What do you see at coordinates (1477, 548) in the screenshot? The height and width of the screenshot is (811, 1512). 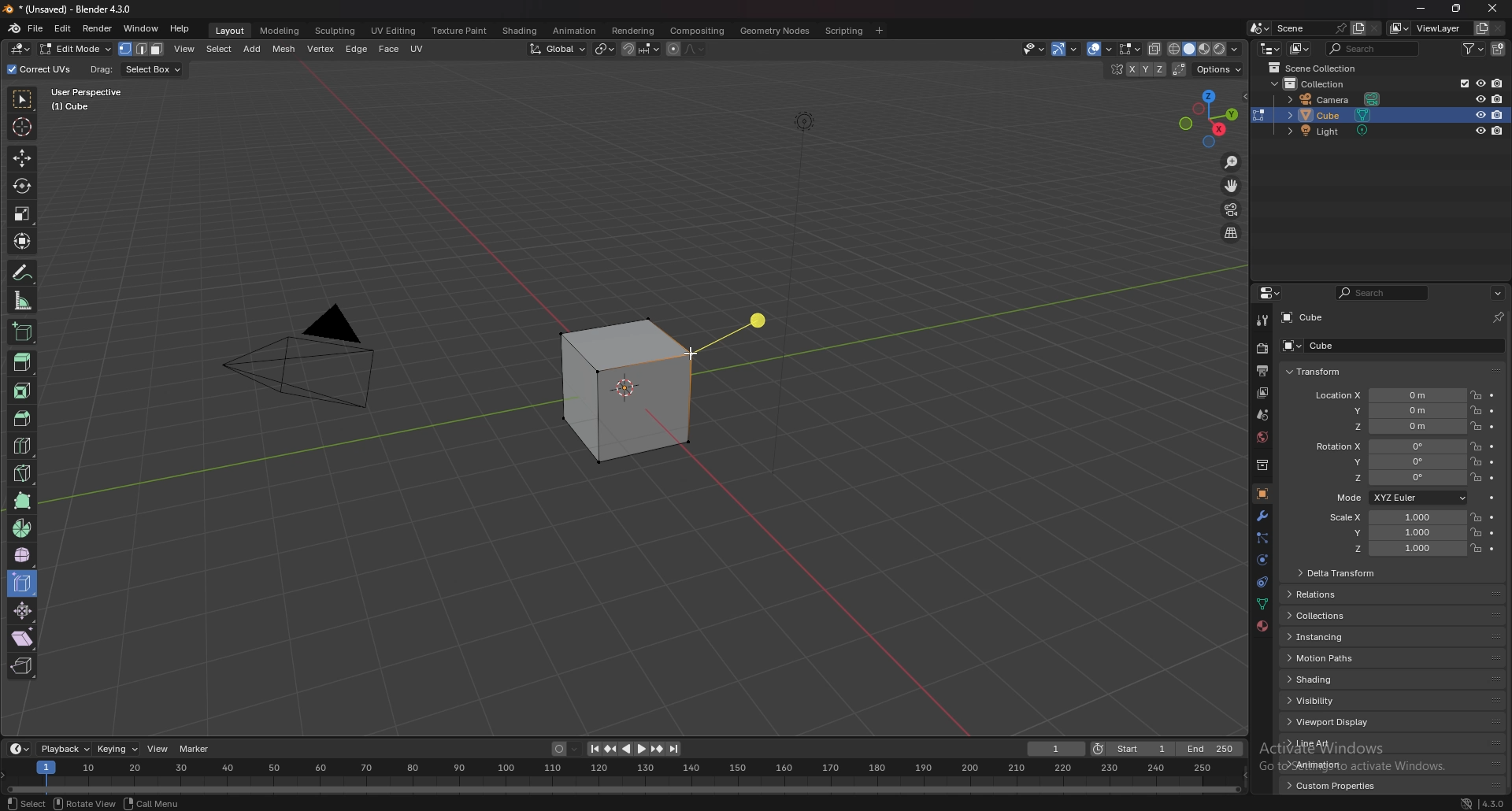 I see `lock` at bounding box center [1477, 548].